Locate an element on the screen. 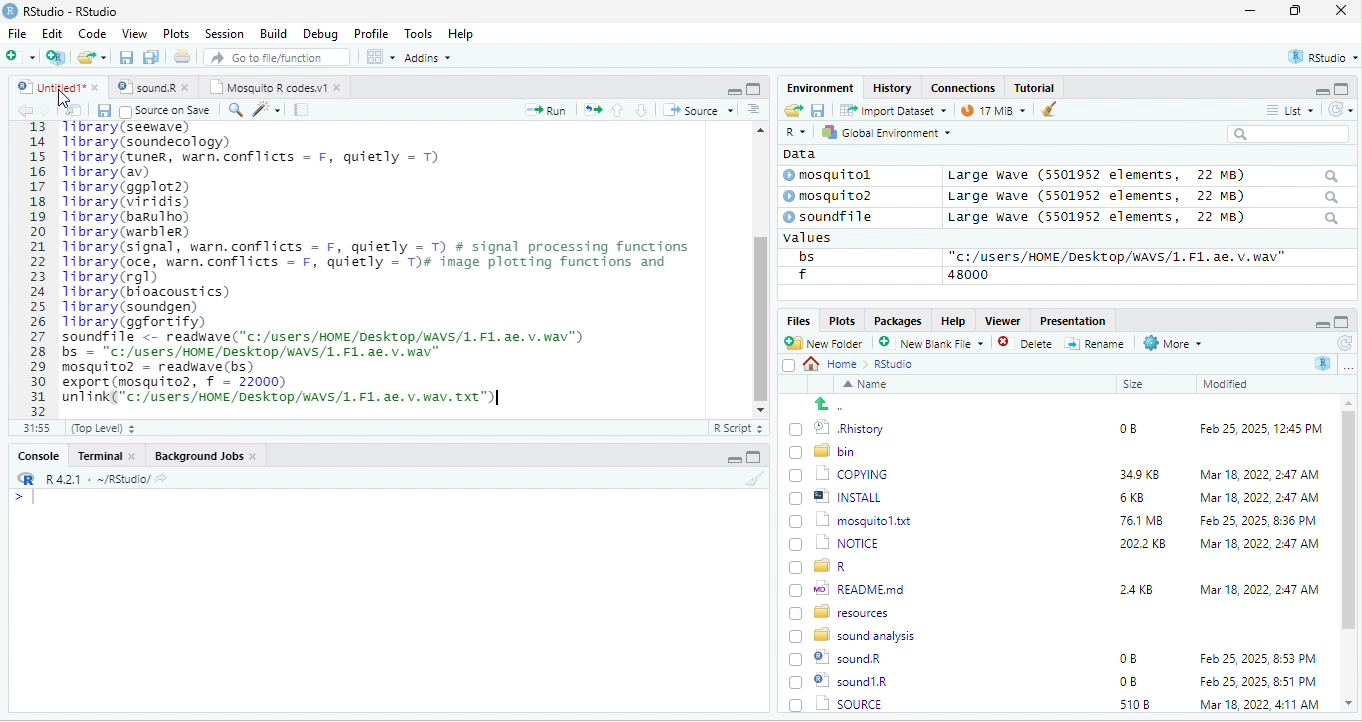 Image resolution: width=1362 pixels, height=722 pixels. 9 mb is located at coordinates (993, 112).